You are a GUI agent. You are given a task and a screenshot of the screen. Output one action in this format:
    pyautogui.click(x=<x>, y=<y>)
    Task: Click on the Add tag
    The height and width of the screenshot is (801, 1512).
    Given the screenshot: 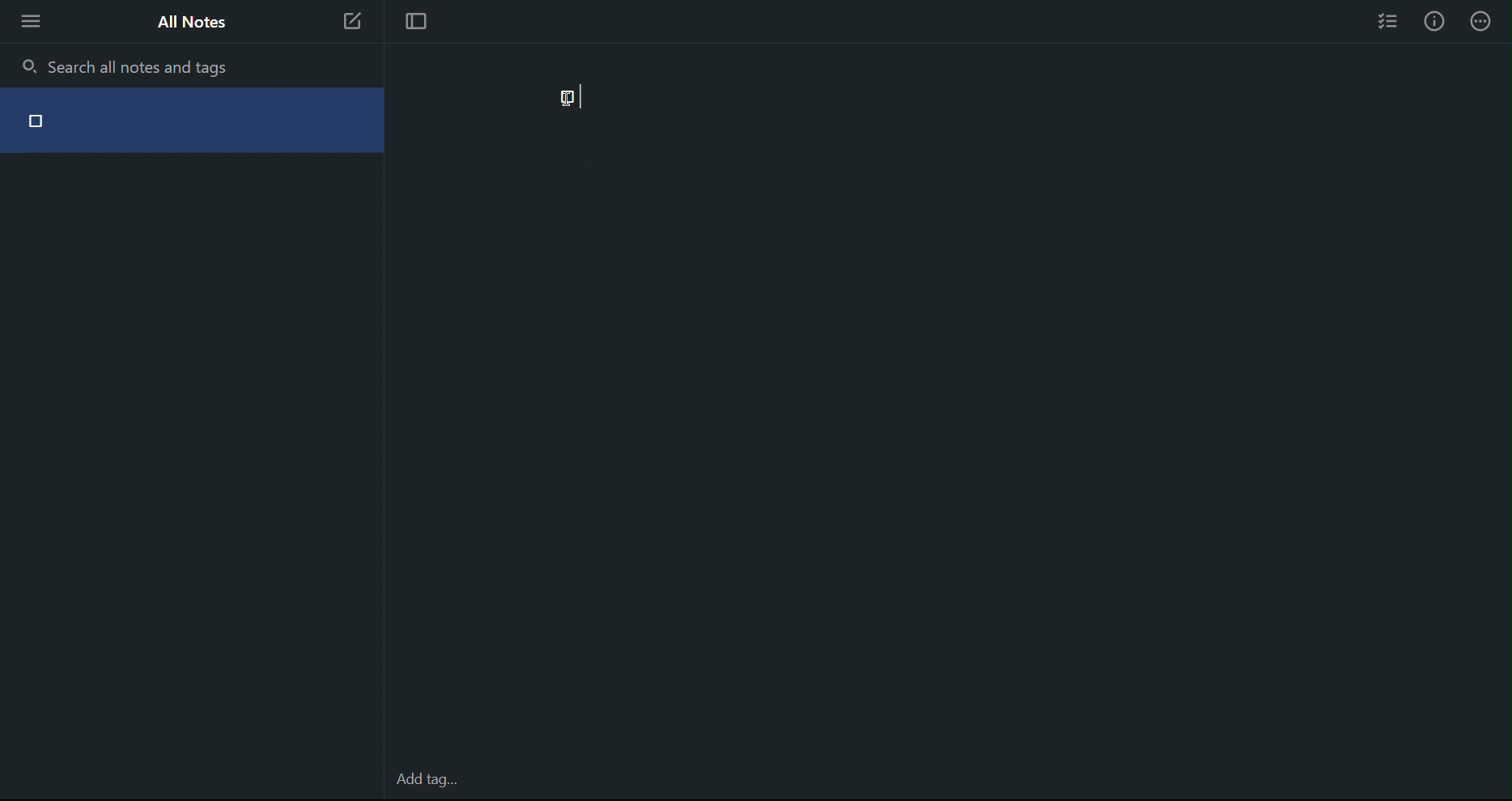 What is the action you would take?
    pyautogui.click(x=431, y=783)
    